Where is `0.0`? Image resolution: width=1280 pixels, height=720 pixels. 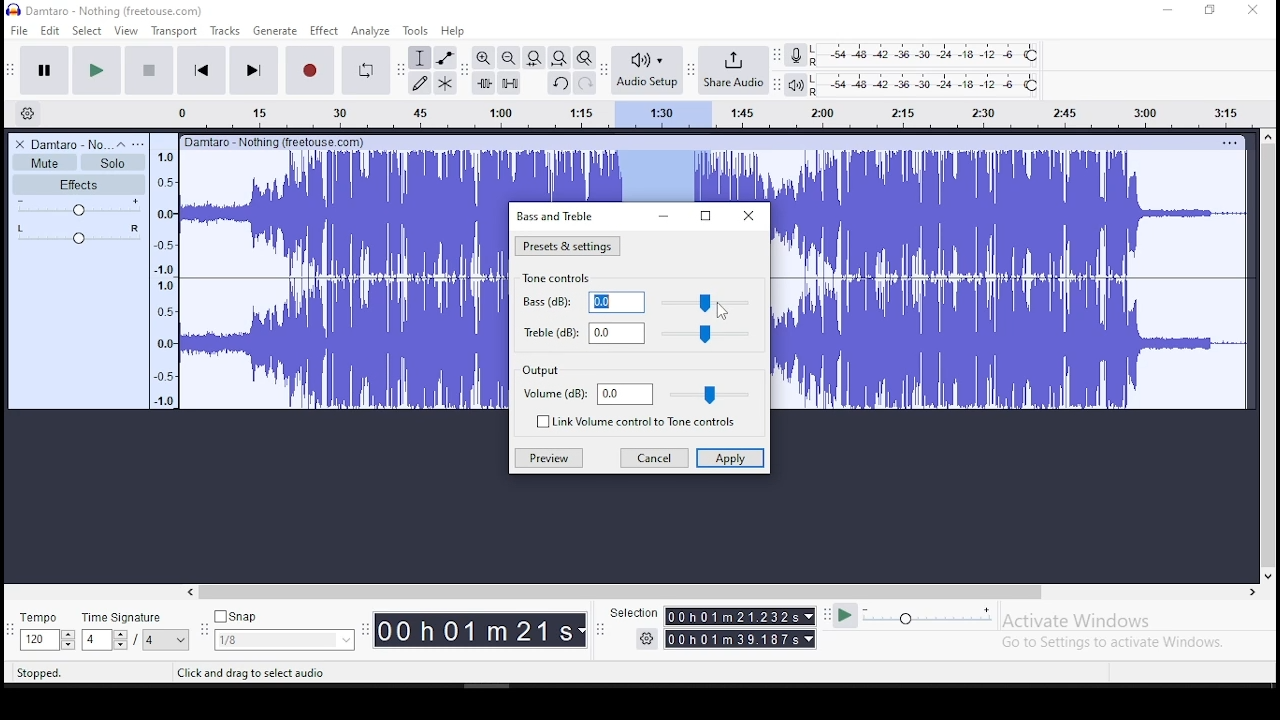
0.0 is located at coordinates (625, 394).